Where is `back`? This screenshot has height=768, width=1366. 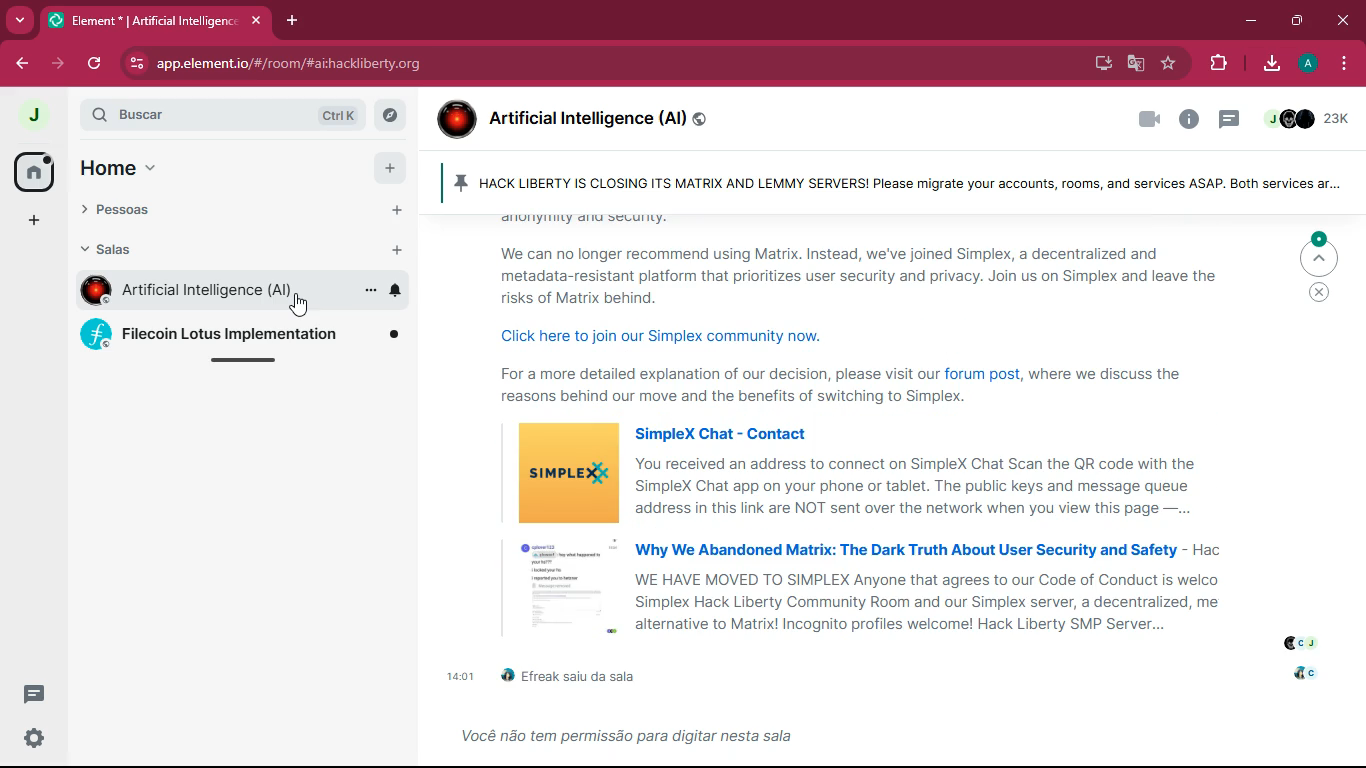 back is located at coordinates (16, 63).